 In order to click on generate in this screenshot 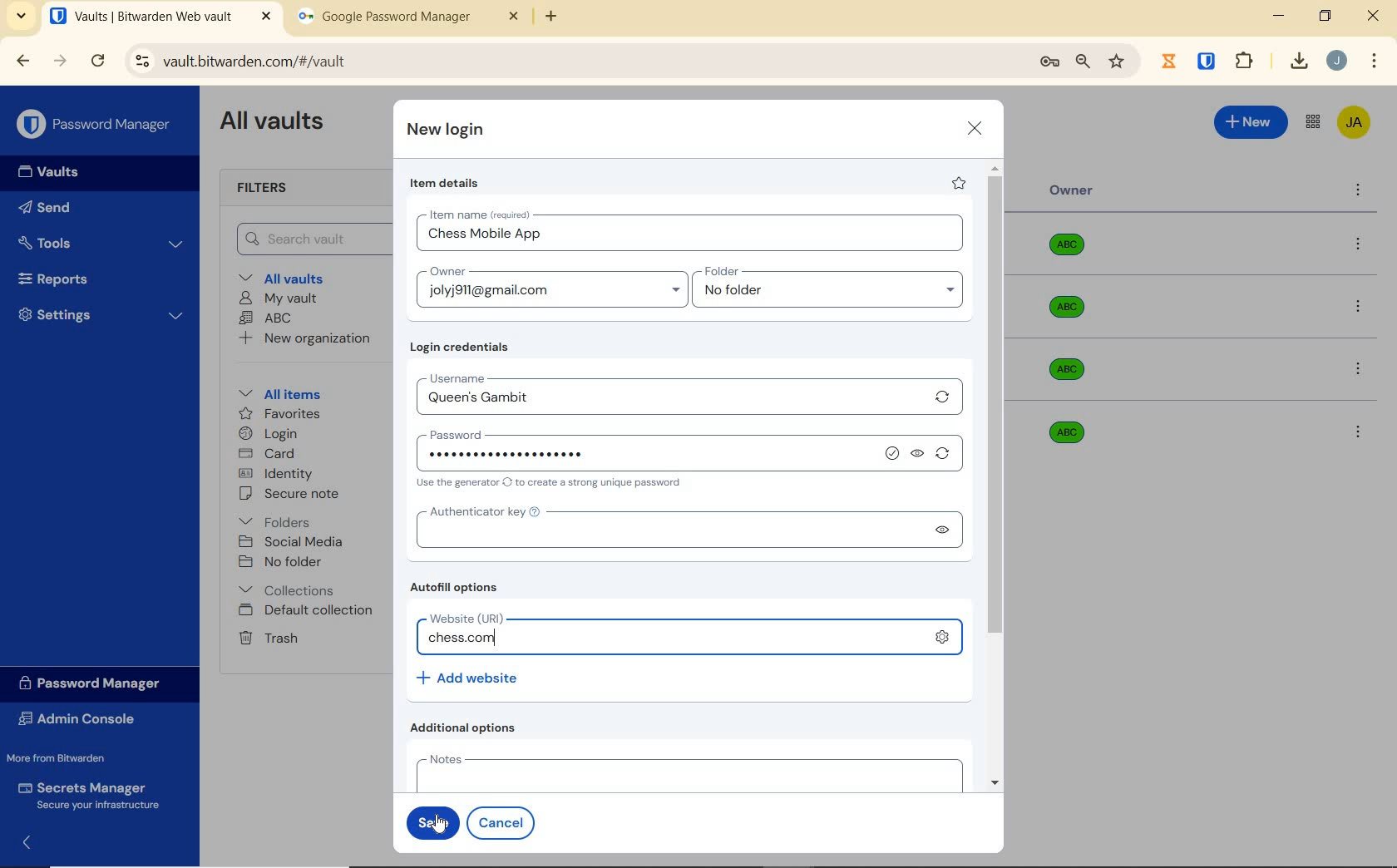, I will do `click(943, 397)`.